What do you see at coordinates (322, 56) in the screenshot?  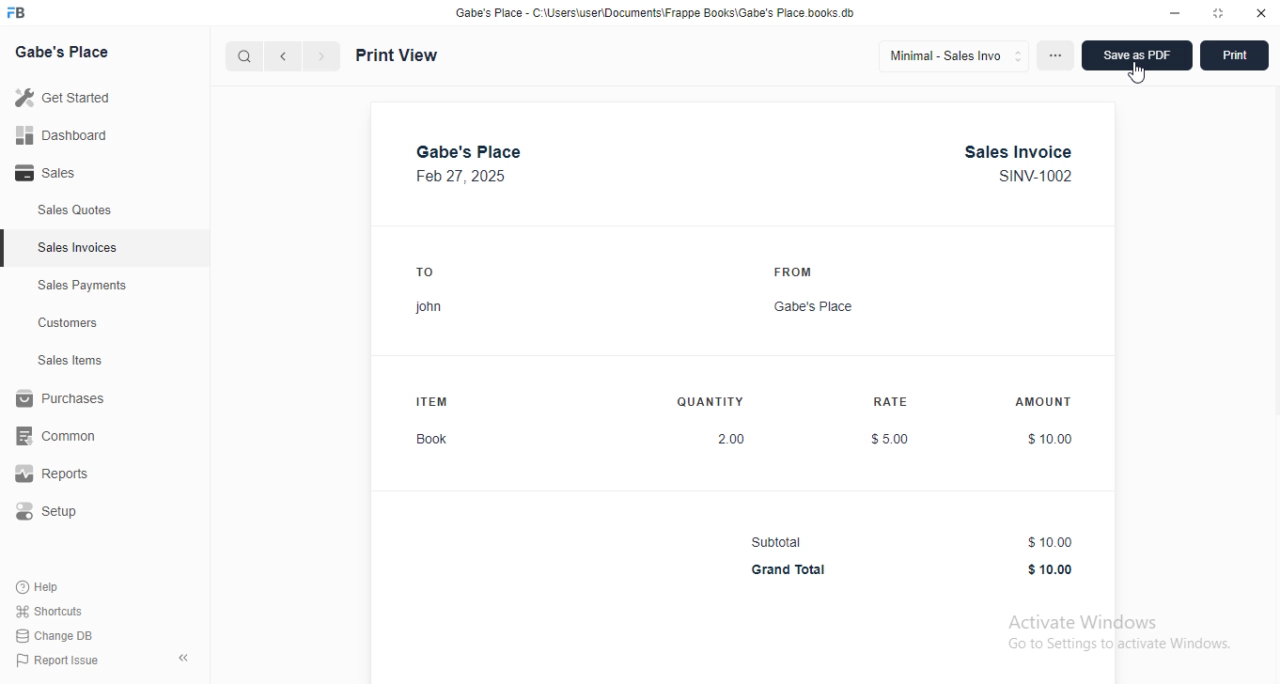 I see `next` at bounding box center [322, 56].